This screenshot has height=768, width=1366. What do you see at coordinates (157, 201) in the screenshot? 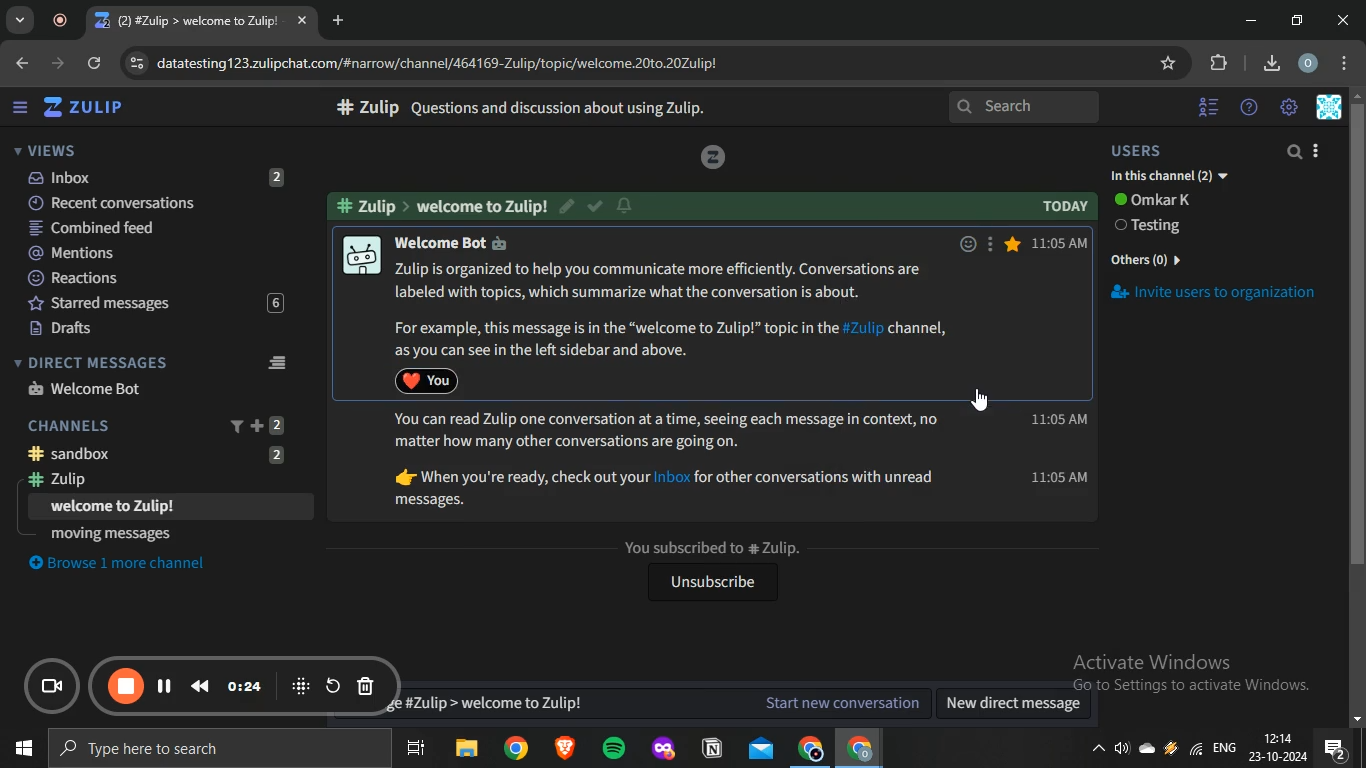
I see `recent conversations` at bounding box center [157, 201].